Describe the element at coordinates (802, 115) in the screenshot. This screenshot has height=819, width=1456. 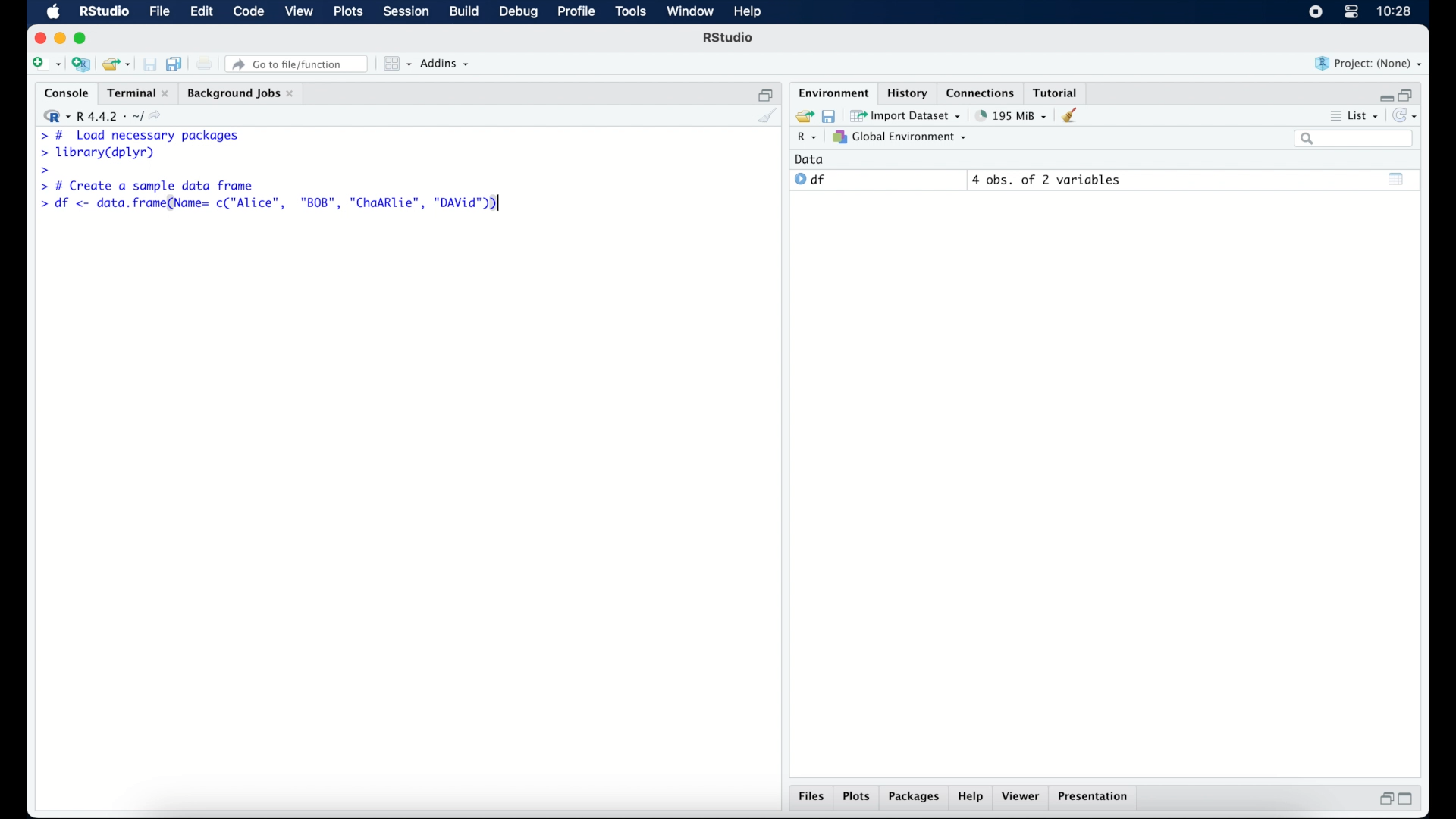
I see `load workspace` at that location.